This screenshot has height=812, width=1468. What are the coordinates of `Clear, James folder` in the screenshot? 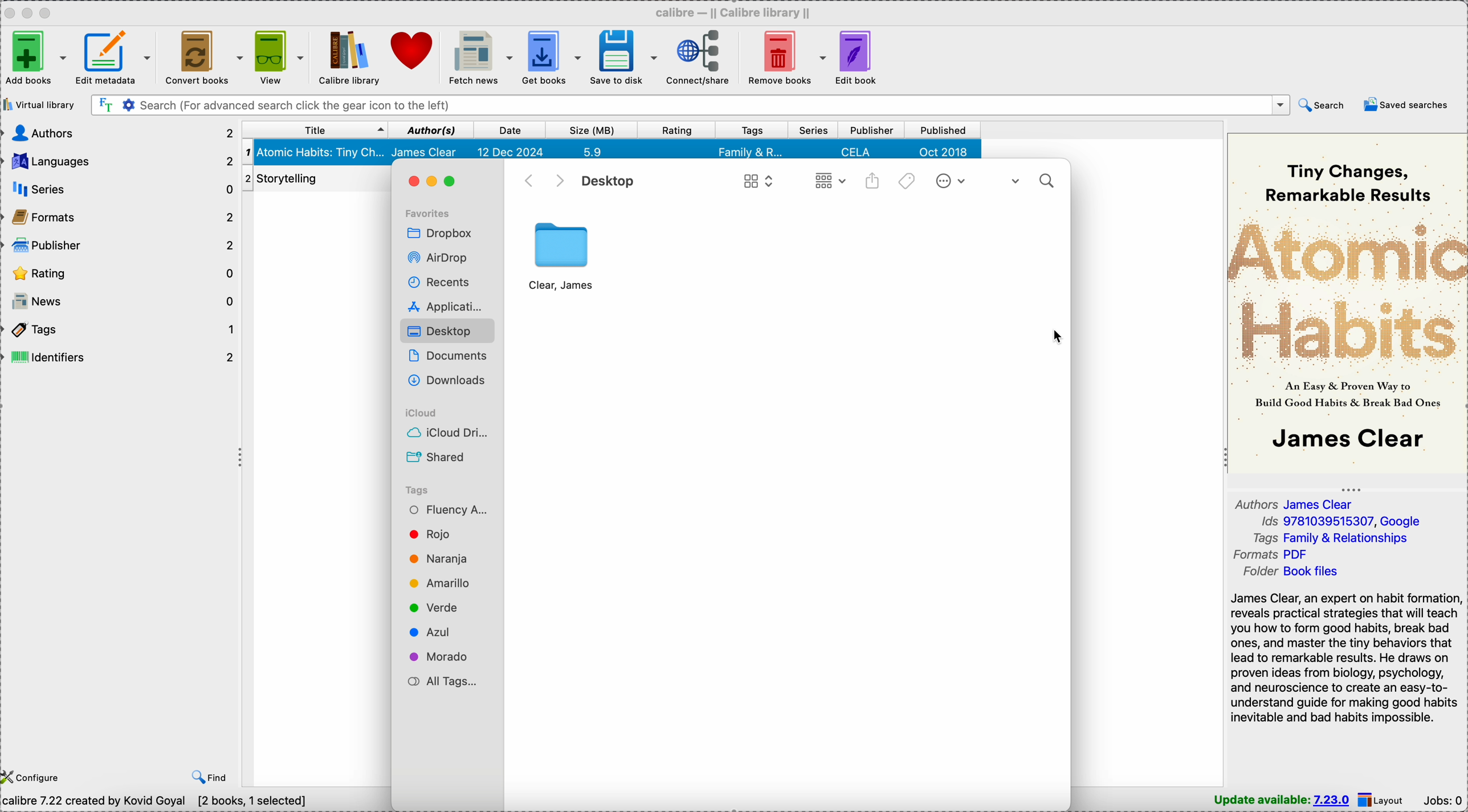 It's located at (563, 256).